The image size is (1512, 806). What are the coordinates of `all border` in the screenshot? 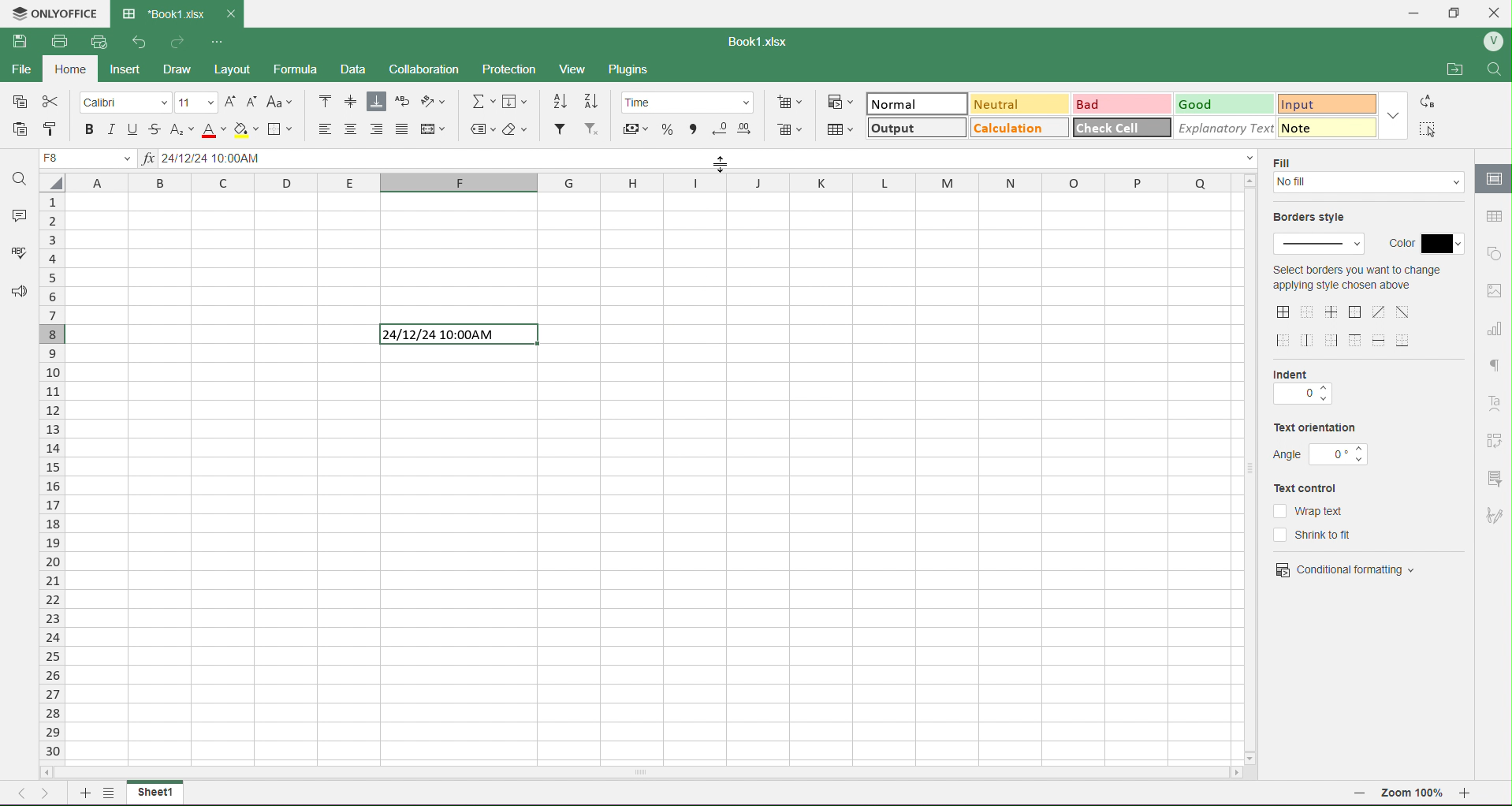 It's located at (1284, 312).